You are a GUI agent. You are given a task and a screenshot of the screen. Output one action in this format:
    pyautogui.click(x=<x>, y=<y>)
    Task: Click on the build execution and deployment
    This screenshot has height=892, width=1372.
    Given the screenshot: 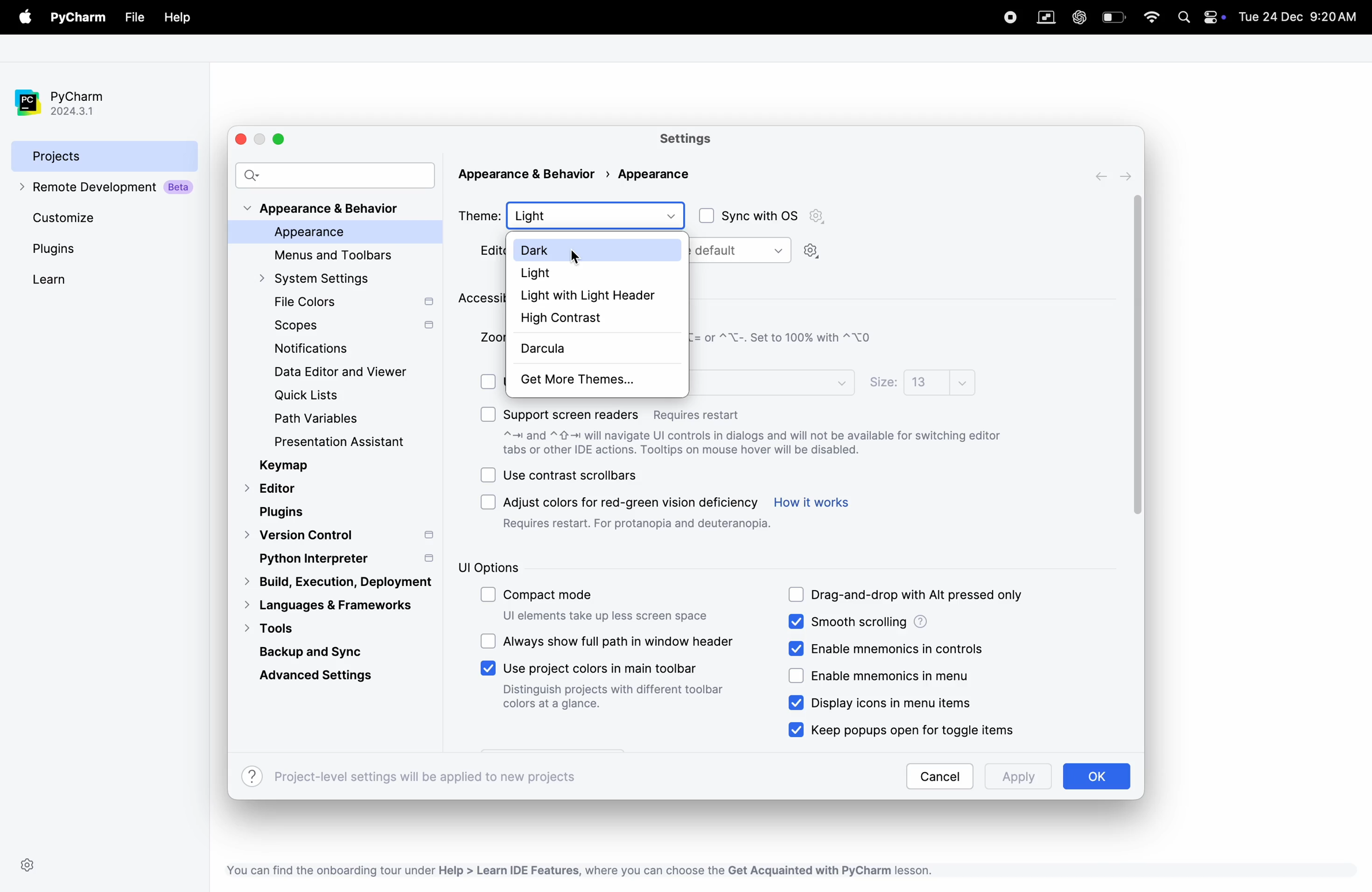 What is the action you would take?
    pyautogui.click(x=331, y=582)
    